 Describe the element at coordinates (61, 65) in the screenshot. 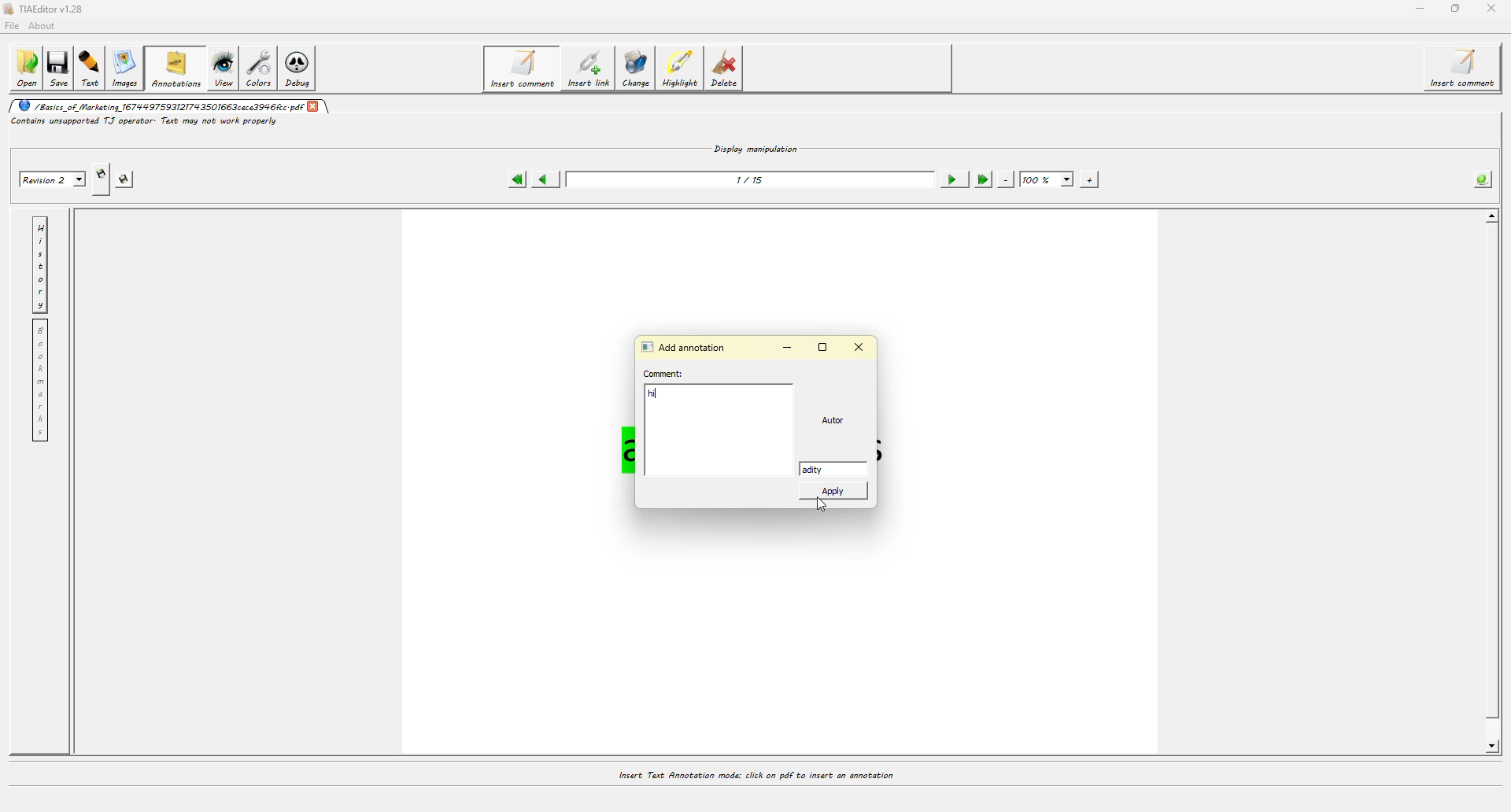

I see `save` at that location.